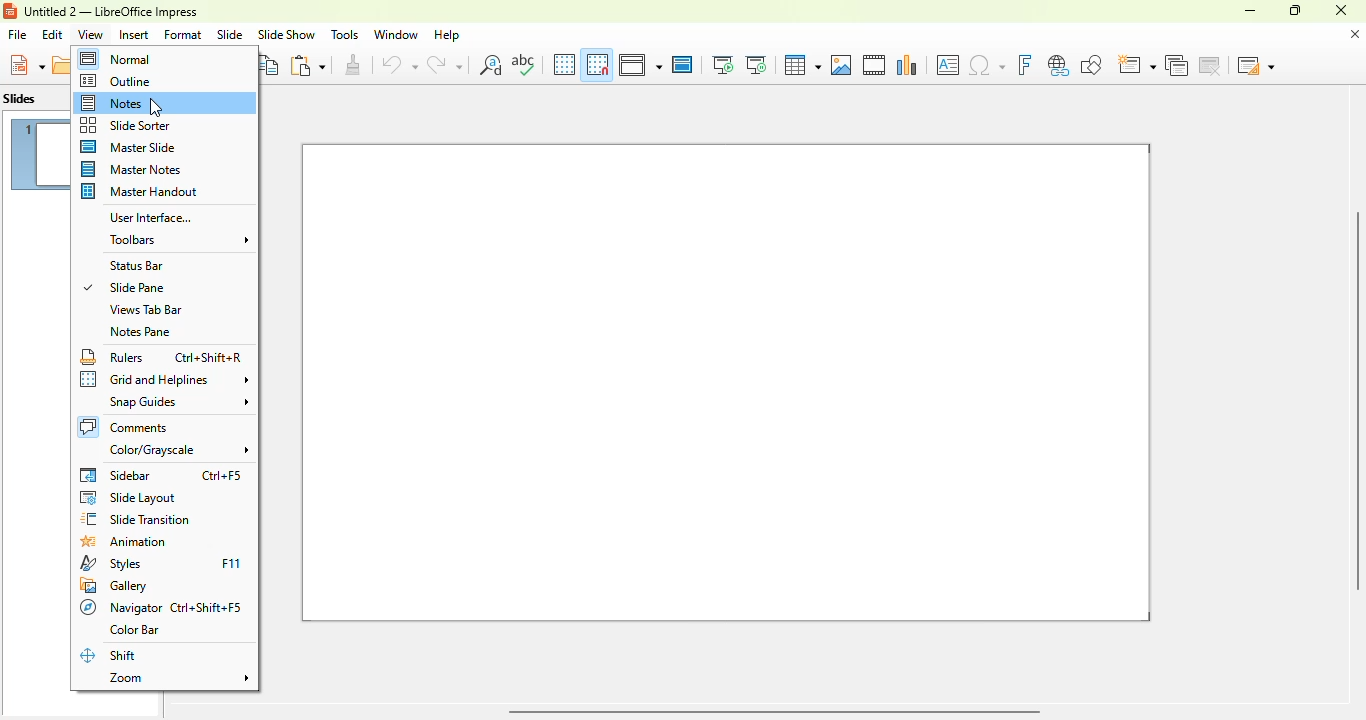  I want to click on insert fontwork text, so click(1026, 64).